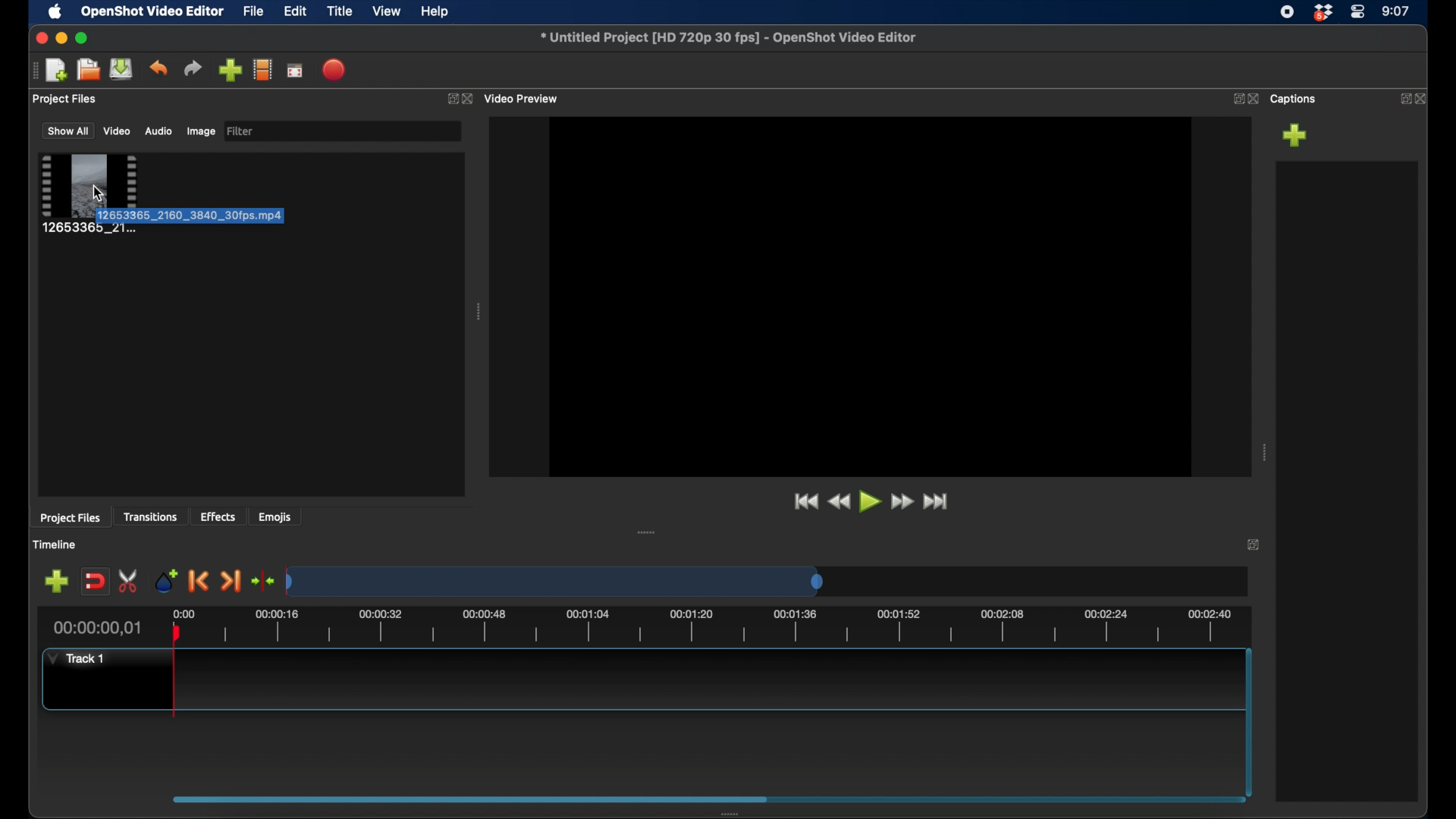 The height and width of the screenshot is (819, 1456). Describe the element at coordinates (94, 582) in the screenshot. I see `disable snapping` at that location.